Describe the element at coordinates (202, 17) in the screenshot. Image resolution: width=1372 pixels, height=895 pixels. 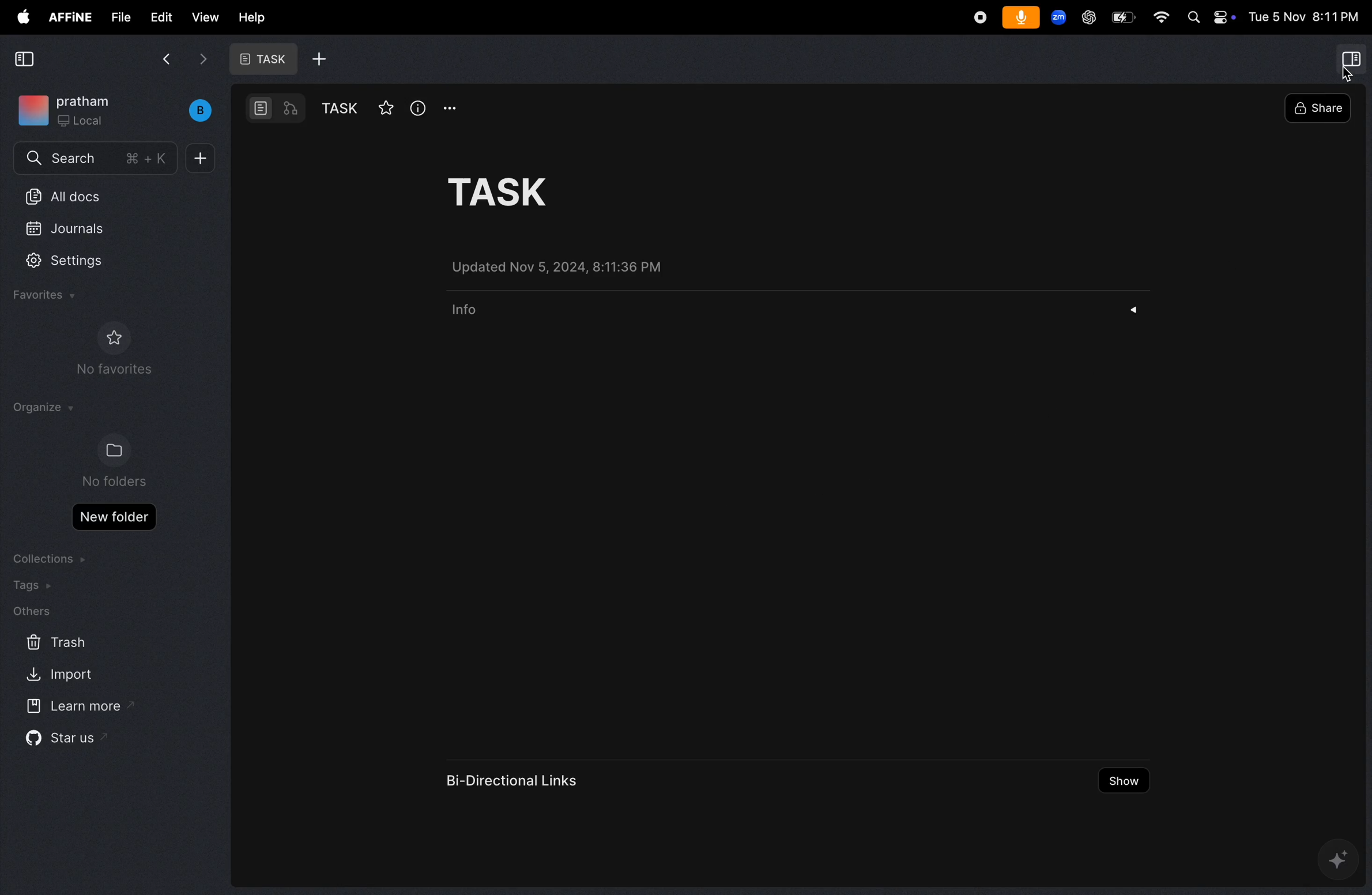
I see `view` at that location.